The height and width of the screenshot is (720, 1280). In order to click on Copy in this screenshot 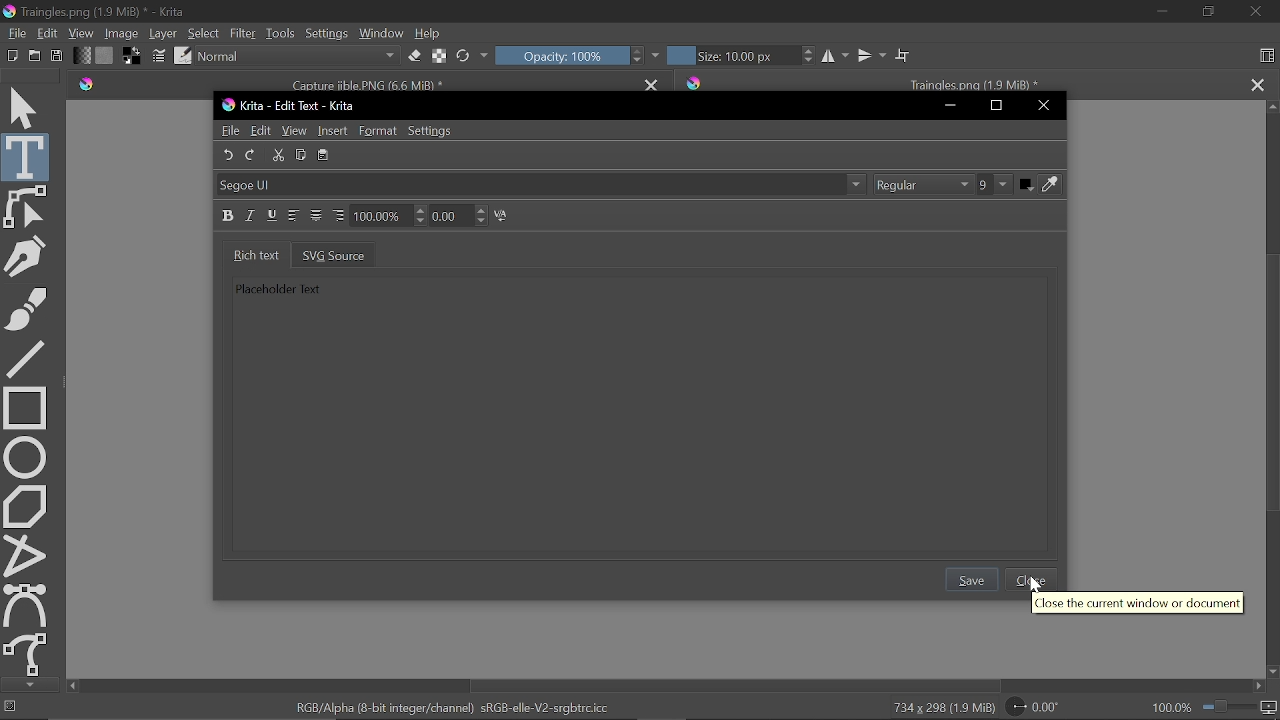, I will do `click(303, 155)`.